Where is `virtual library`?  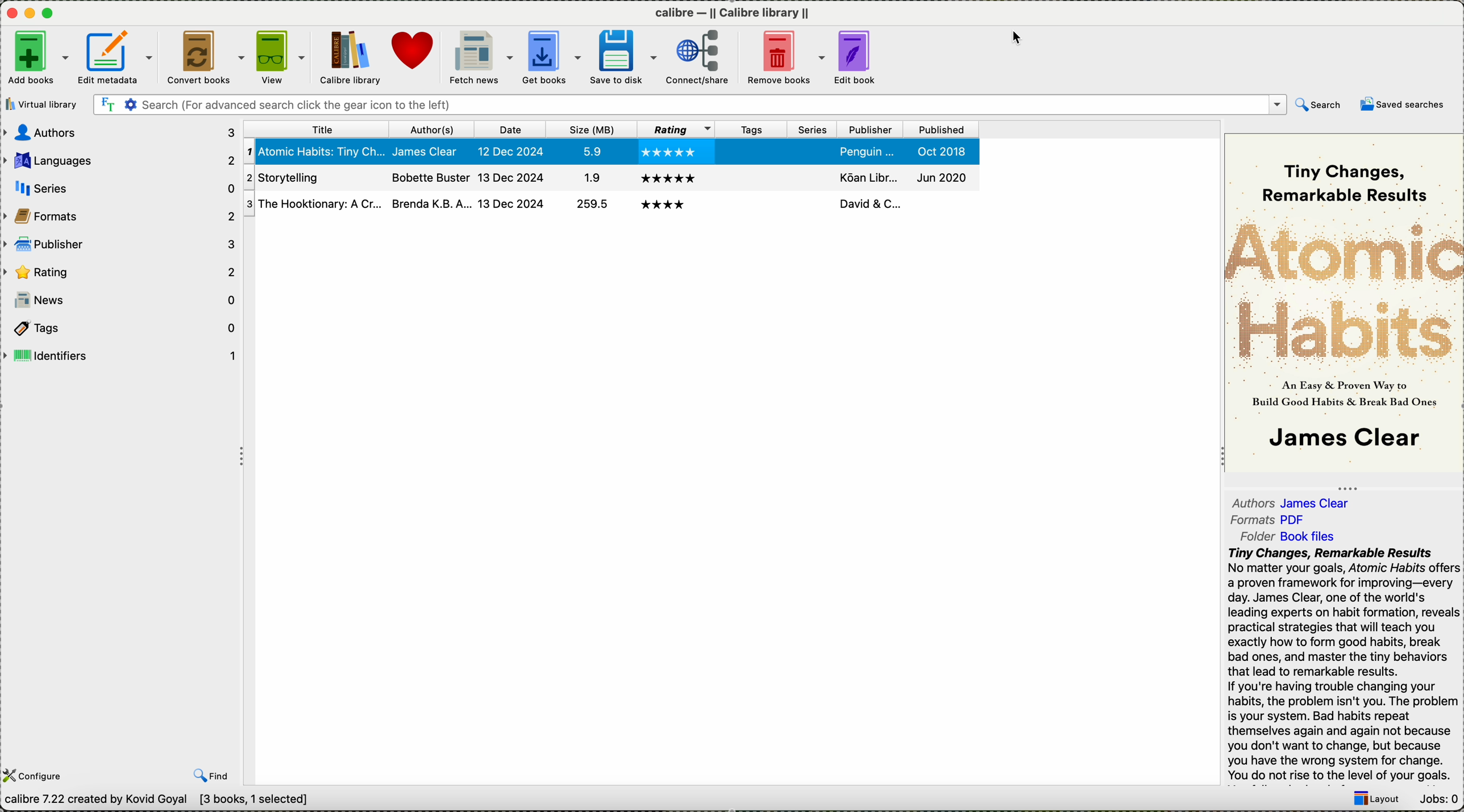 virtual library is located at coordinates (41, 104).